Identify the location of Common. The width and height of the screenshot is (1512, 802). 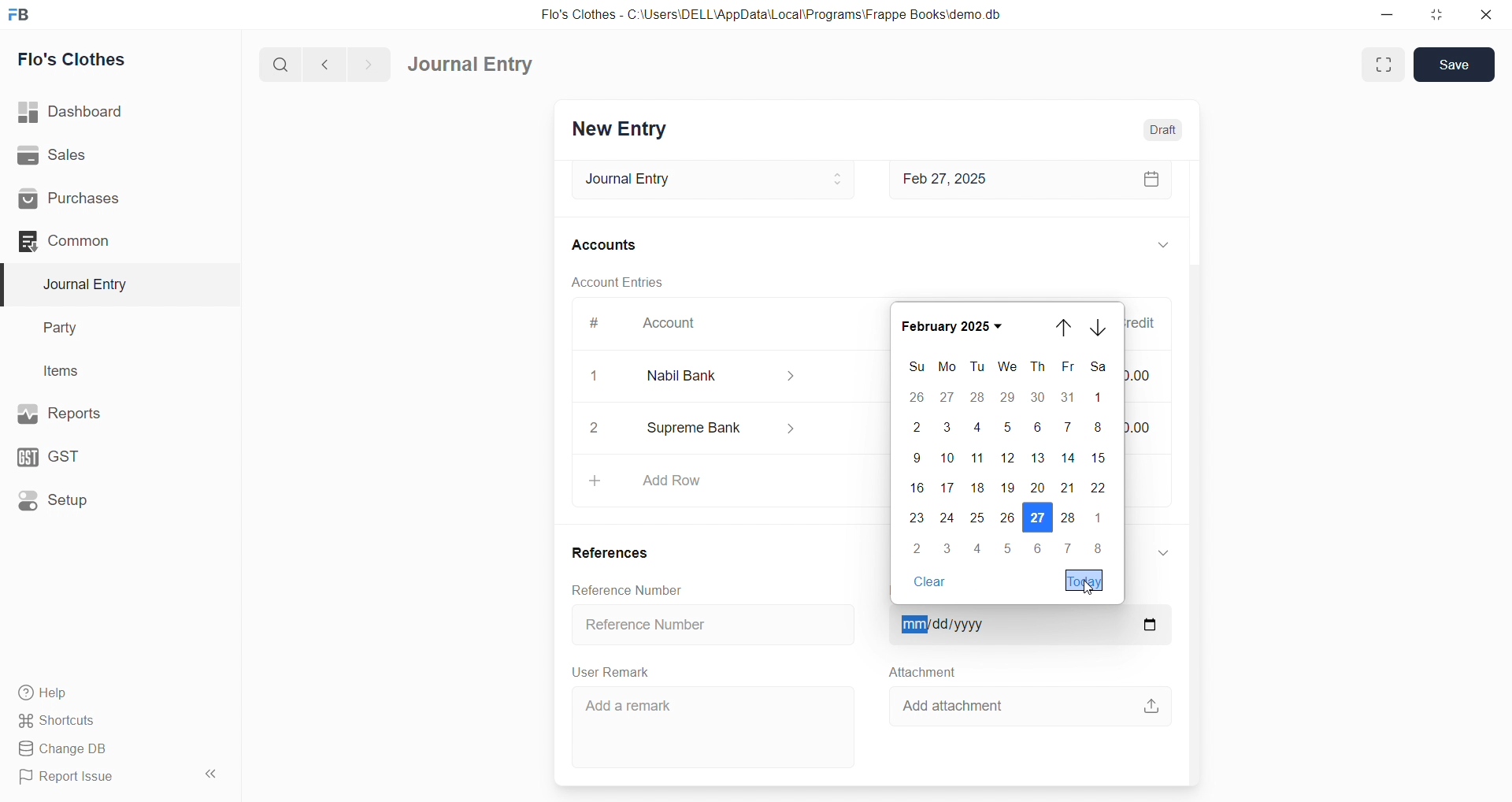
(94, 242).